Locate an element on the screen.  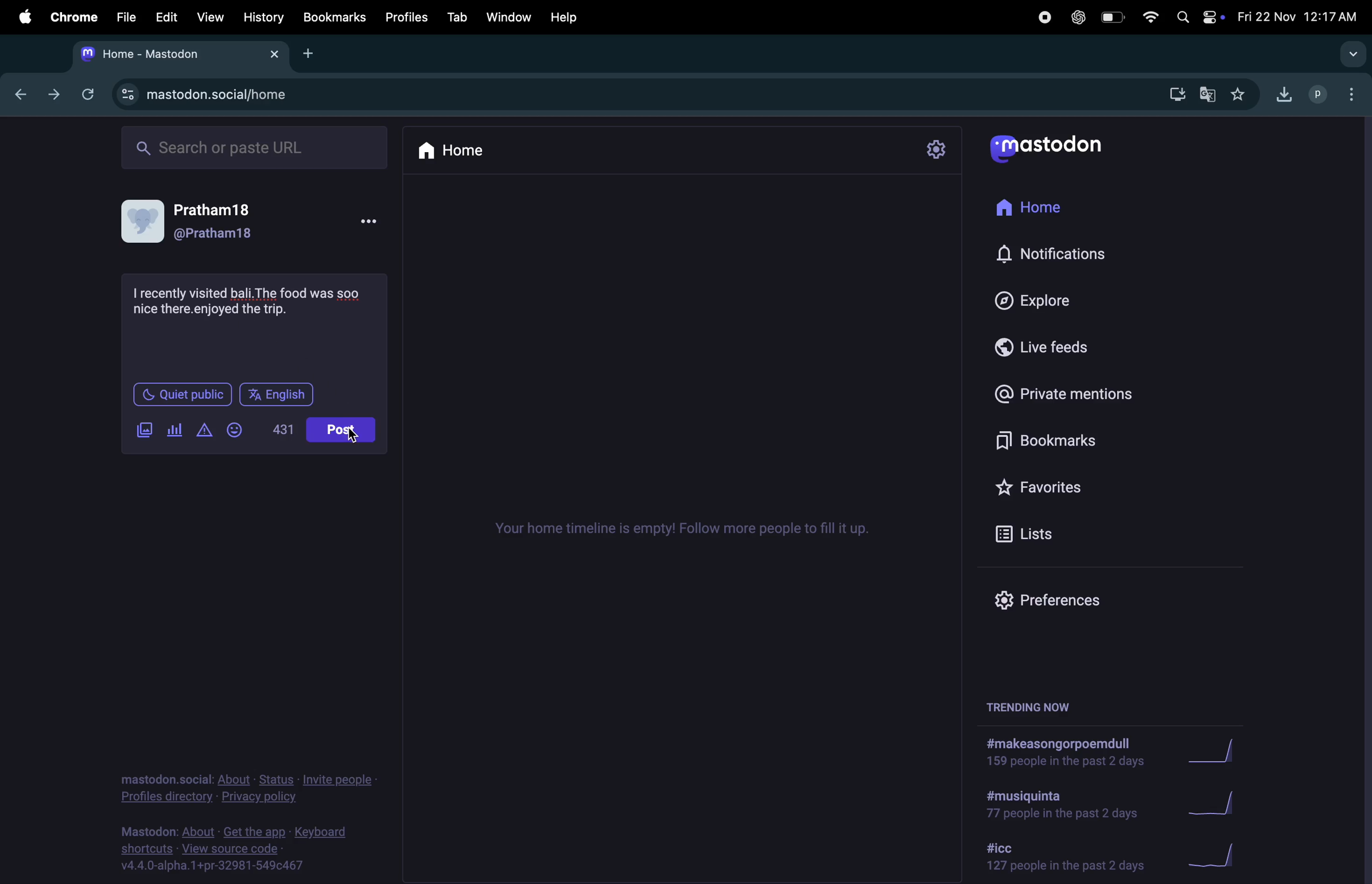
add emoji is located at coordinates (234, 431).